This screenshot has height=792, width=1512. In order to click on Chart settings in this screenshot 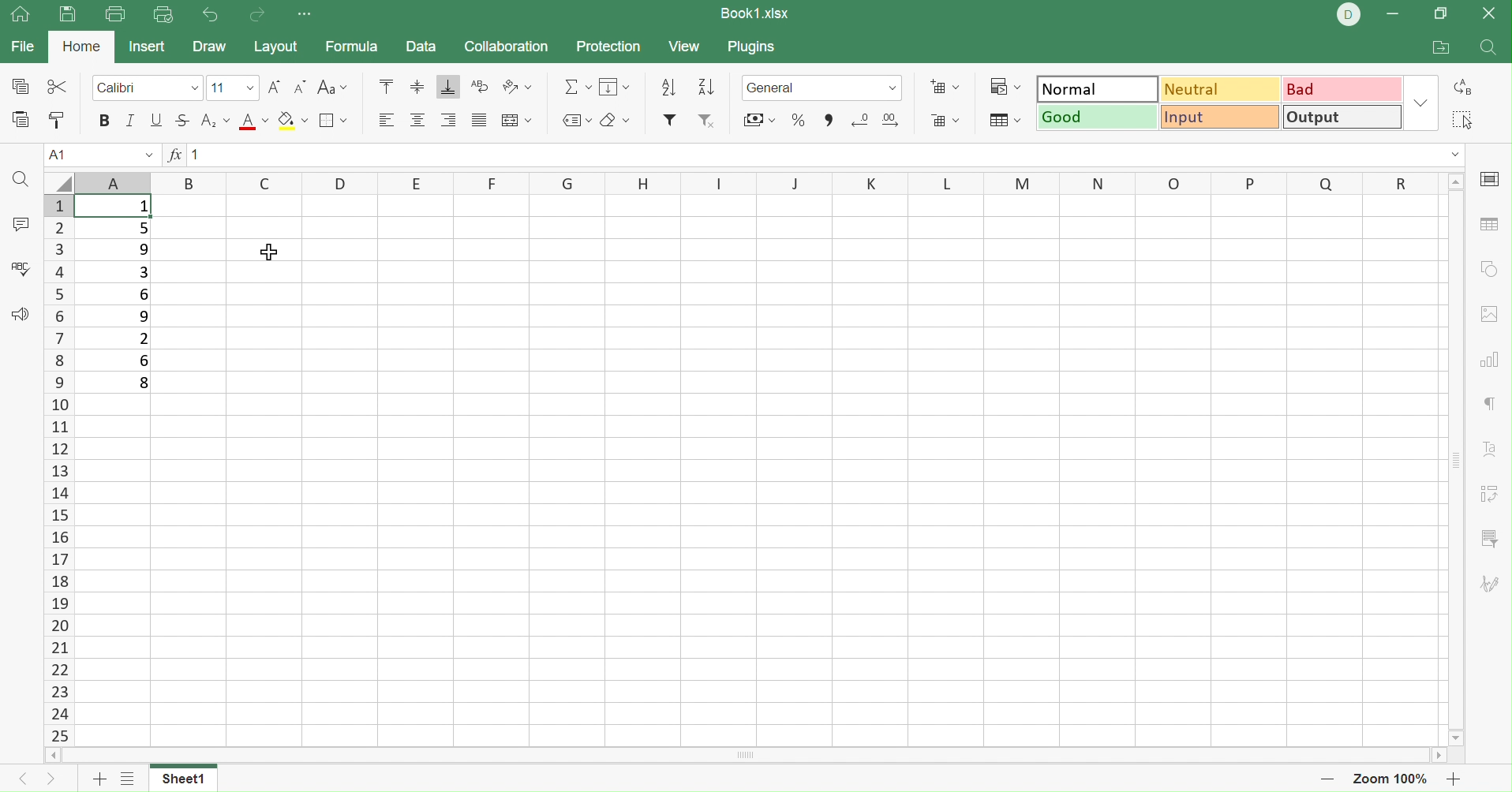, I will do `click(1491, 357)`.